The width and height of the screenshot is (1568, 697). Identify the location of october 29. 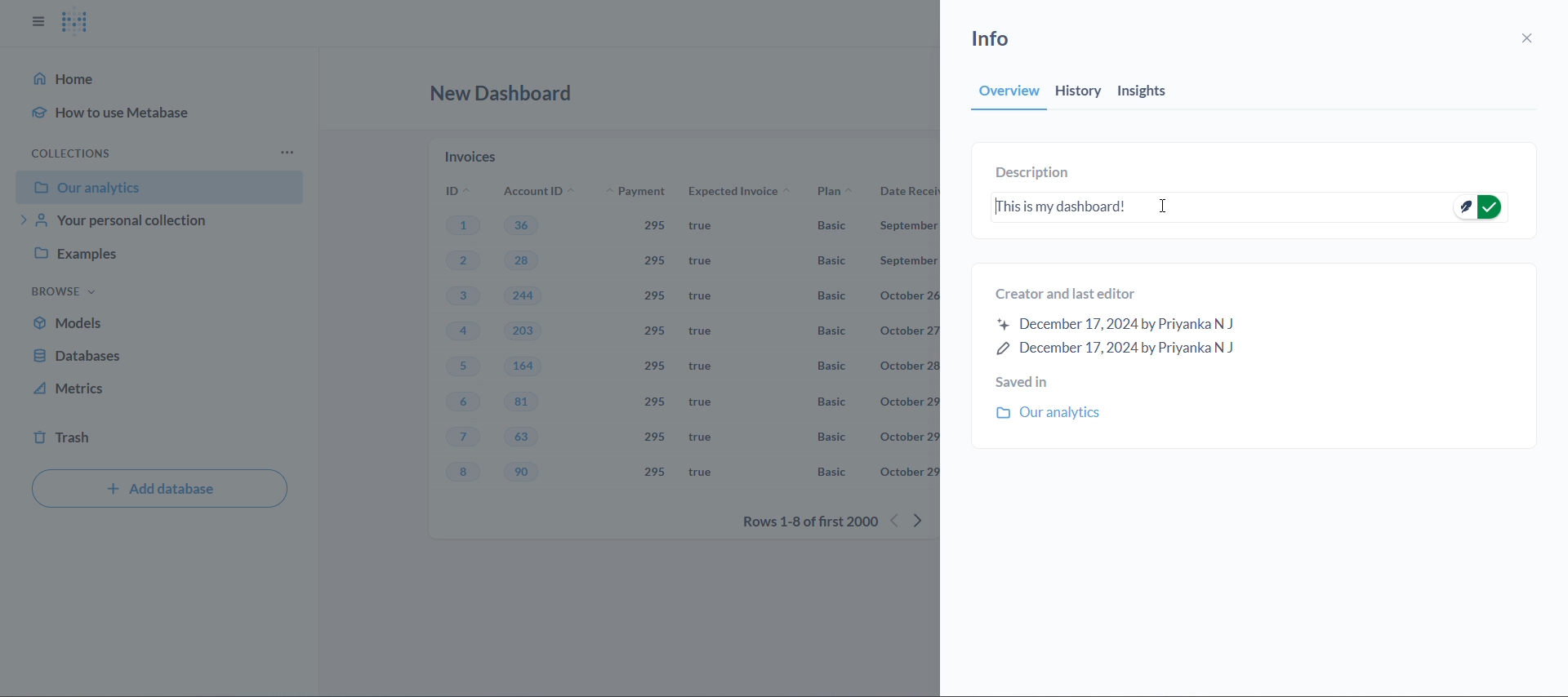
(907, 436).